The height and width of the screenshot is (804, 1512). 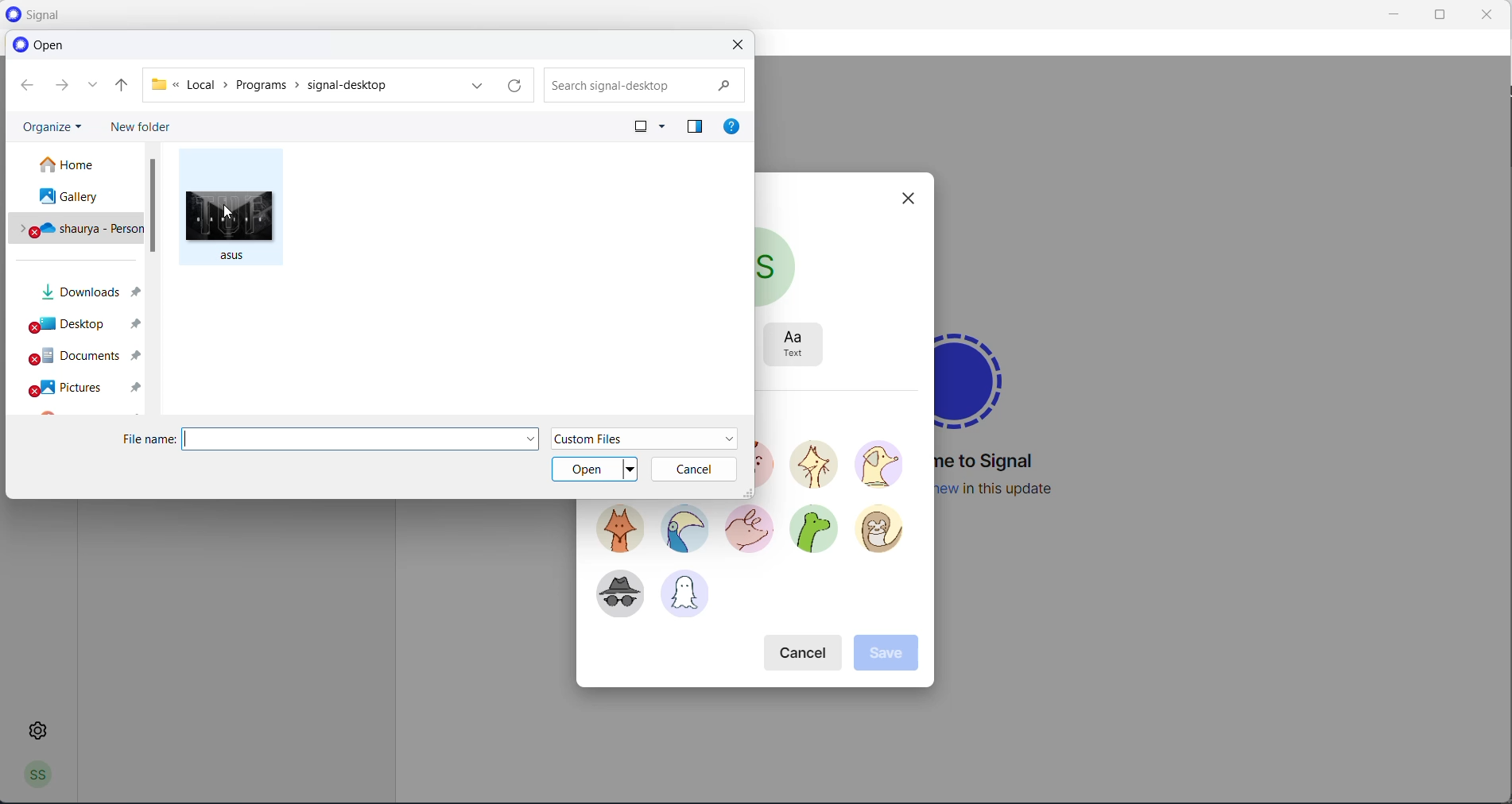 I want to click on path dropdown button, so click(x=475, y=88).